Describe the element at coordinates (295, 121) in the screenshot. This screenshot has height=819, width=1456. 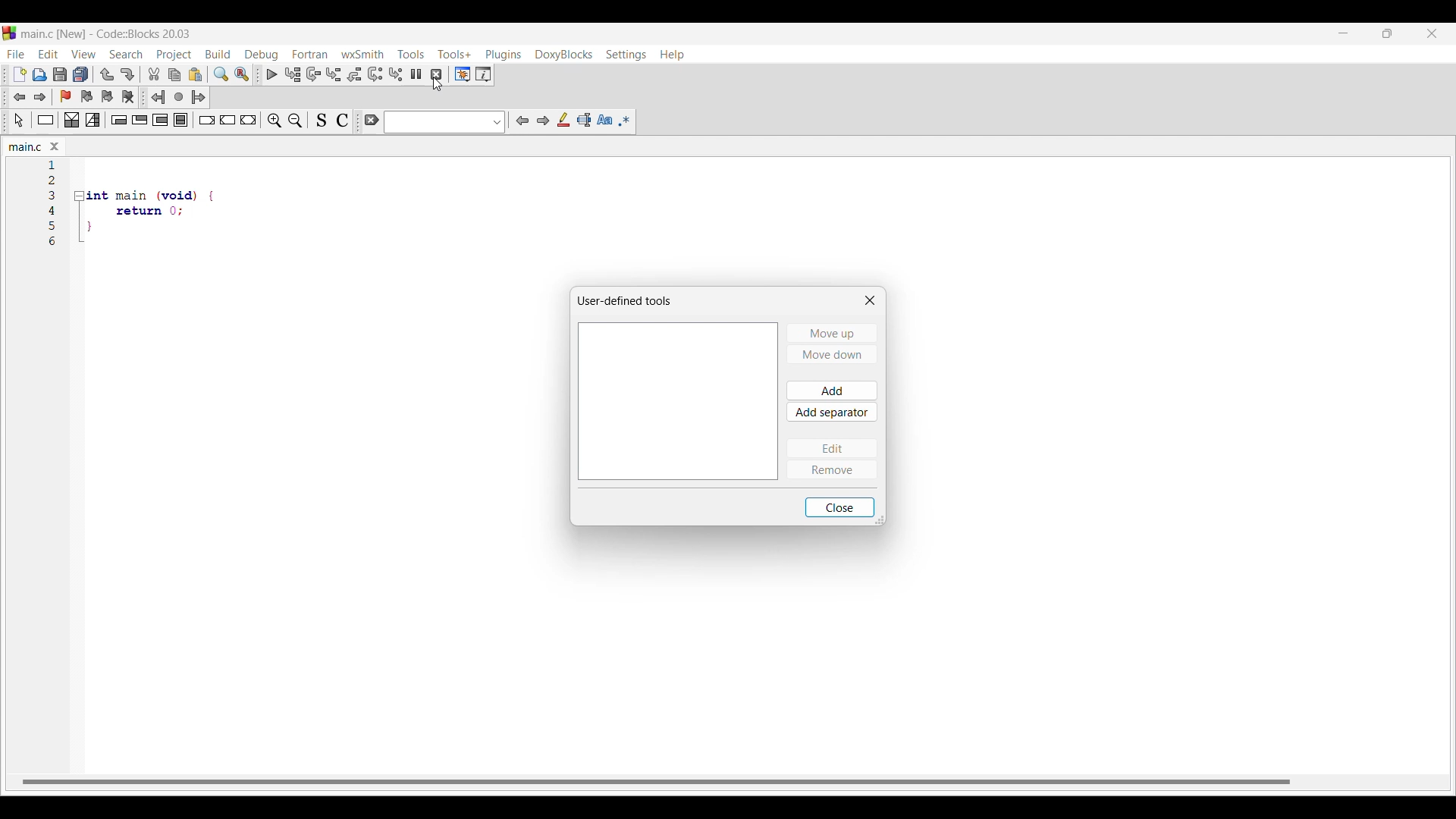
I see `Zoom out` at that location.